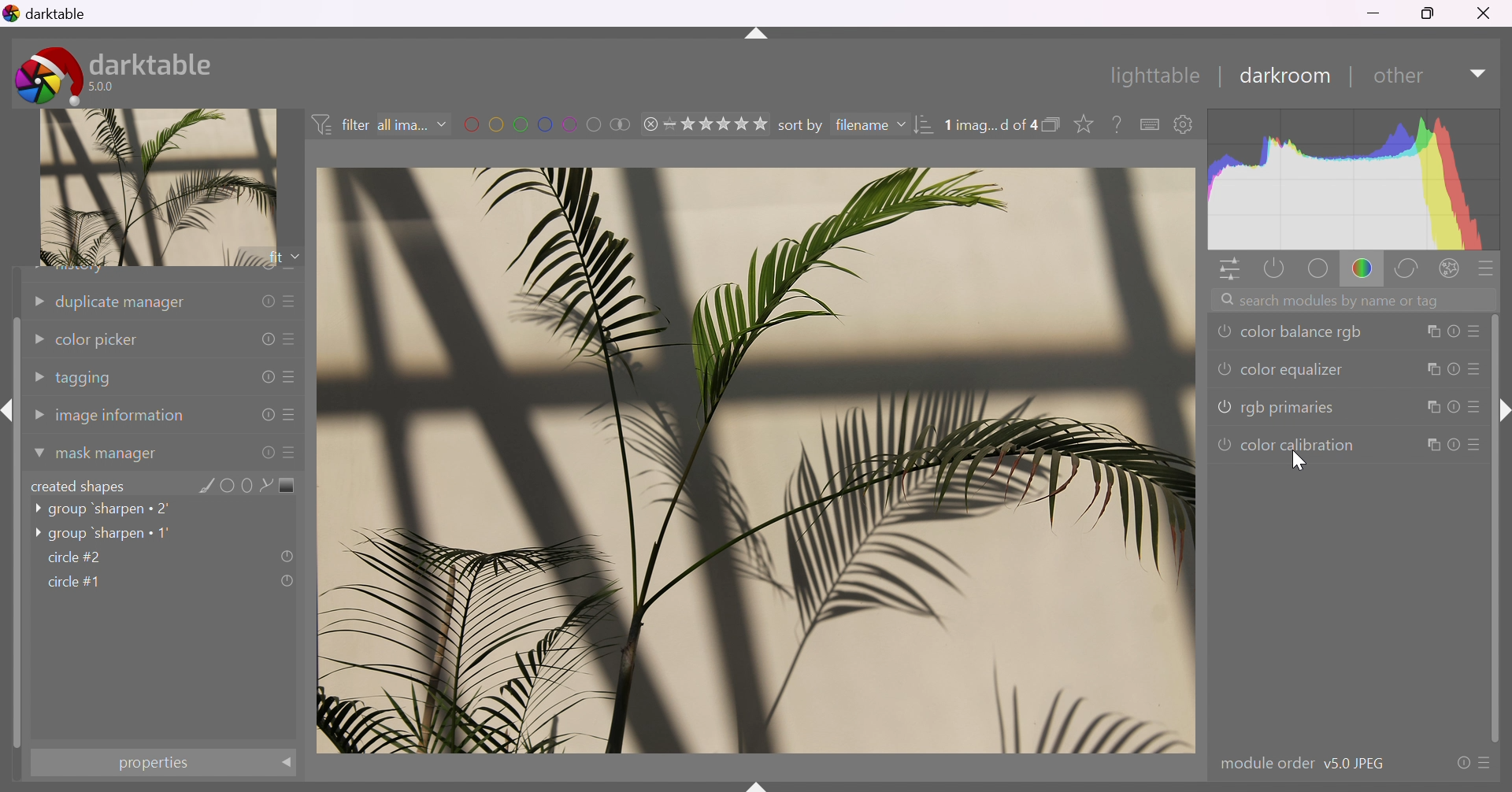 The width and height of the screenshot is (1512, 792). Describe the element at coordinates (228, 486) in the screenshot. I see `add circle` at that location.